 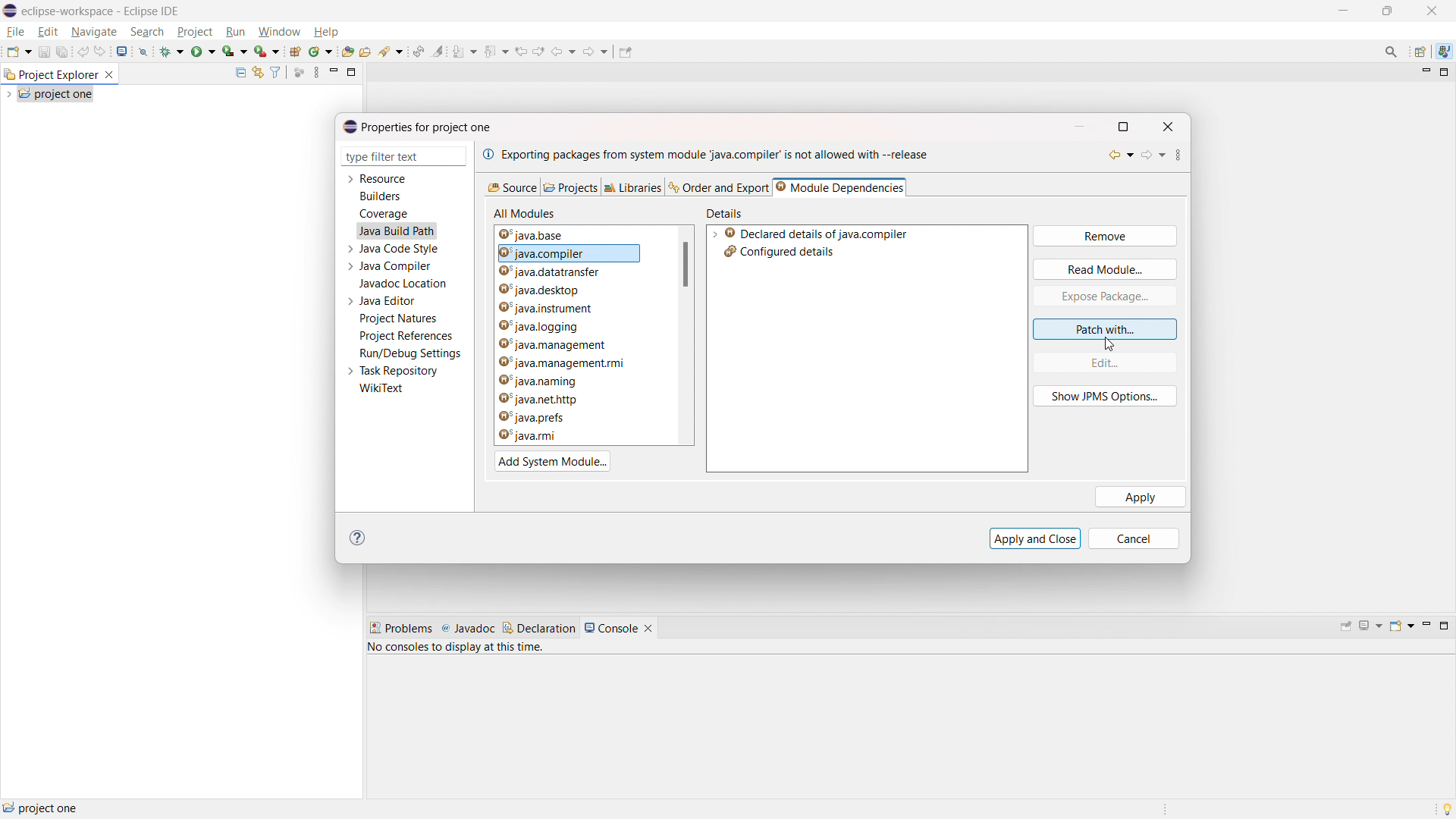 I want to click on next annotation, so click(x=464, y=52).